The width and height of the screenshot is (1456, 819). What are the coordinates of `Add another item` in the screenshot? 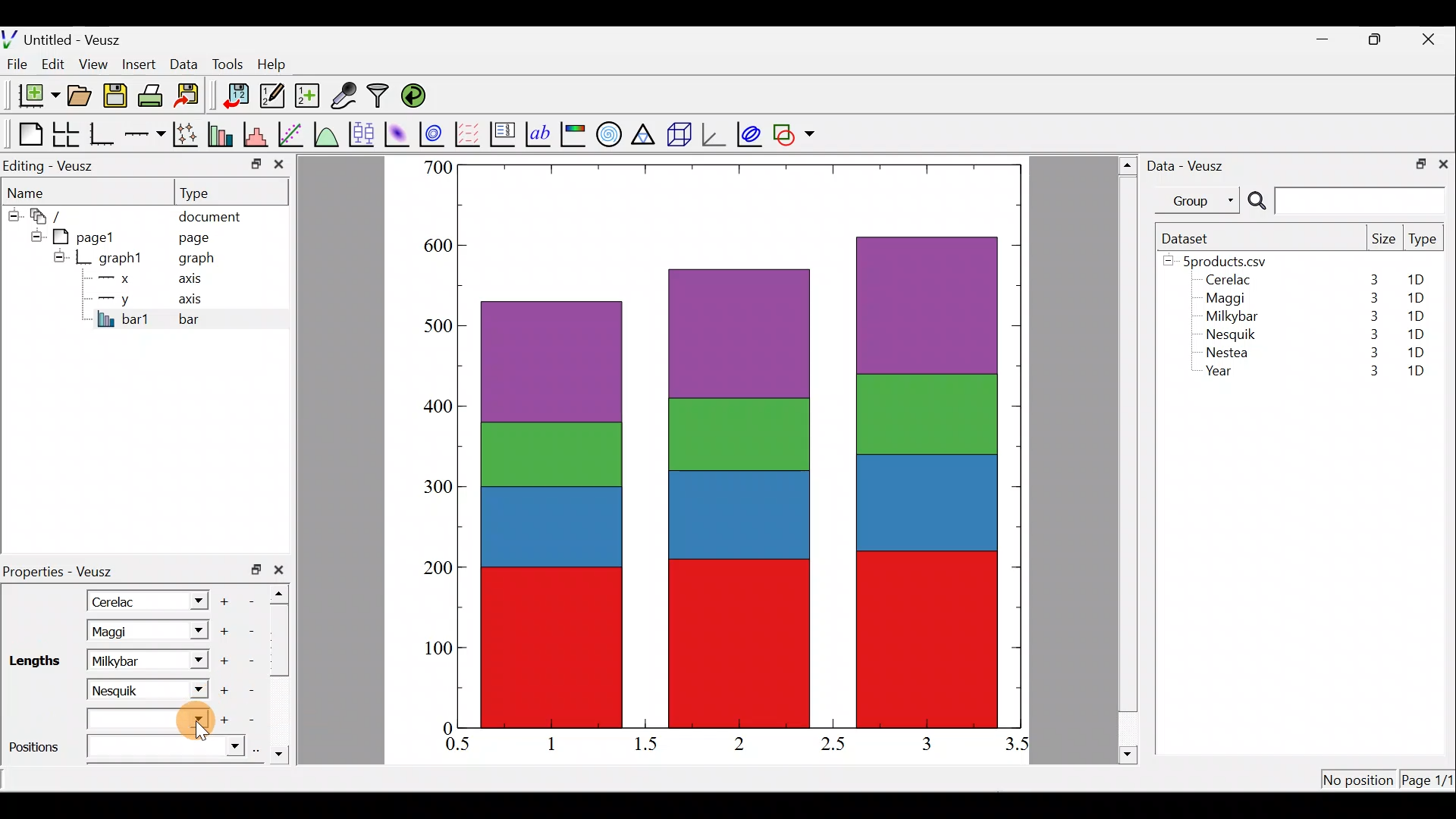 It's located at (231, 720).